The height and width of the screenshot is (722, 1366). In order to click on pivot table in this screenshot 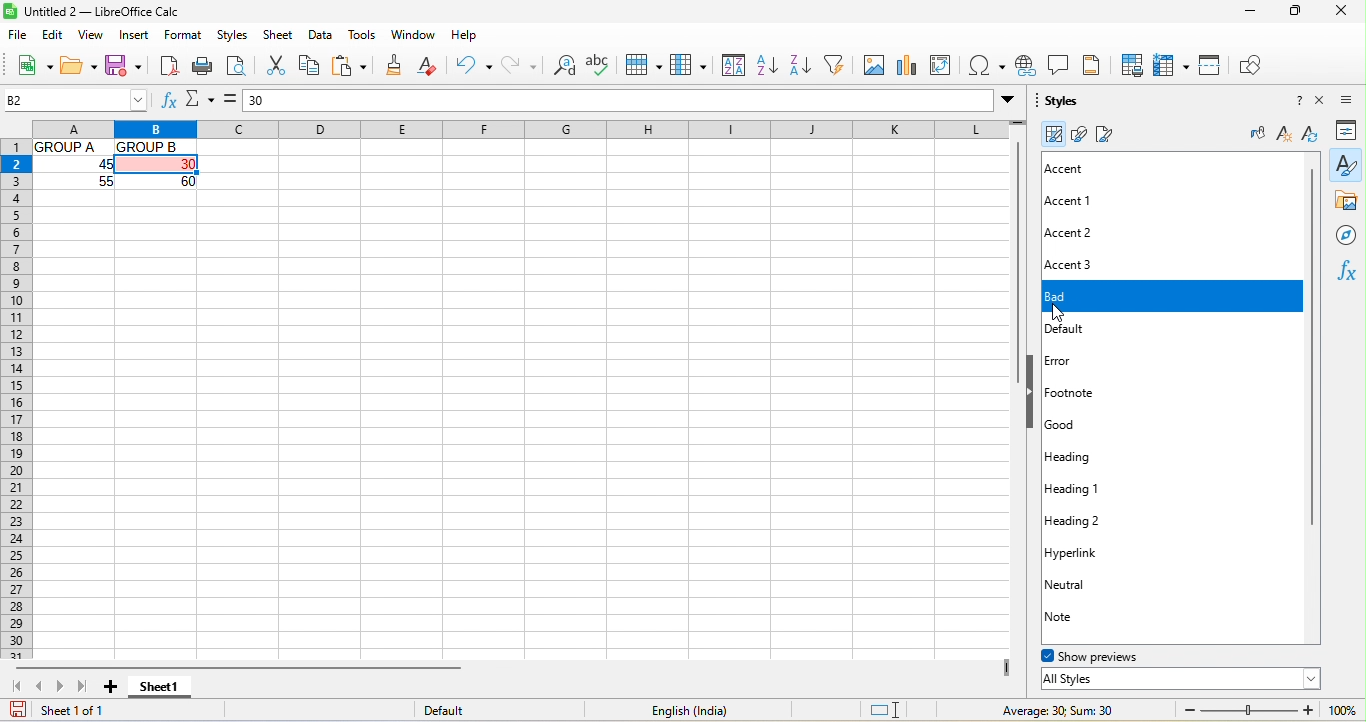, I will do `click(942, 65)`.